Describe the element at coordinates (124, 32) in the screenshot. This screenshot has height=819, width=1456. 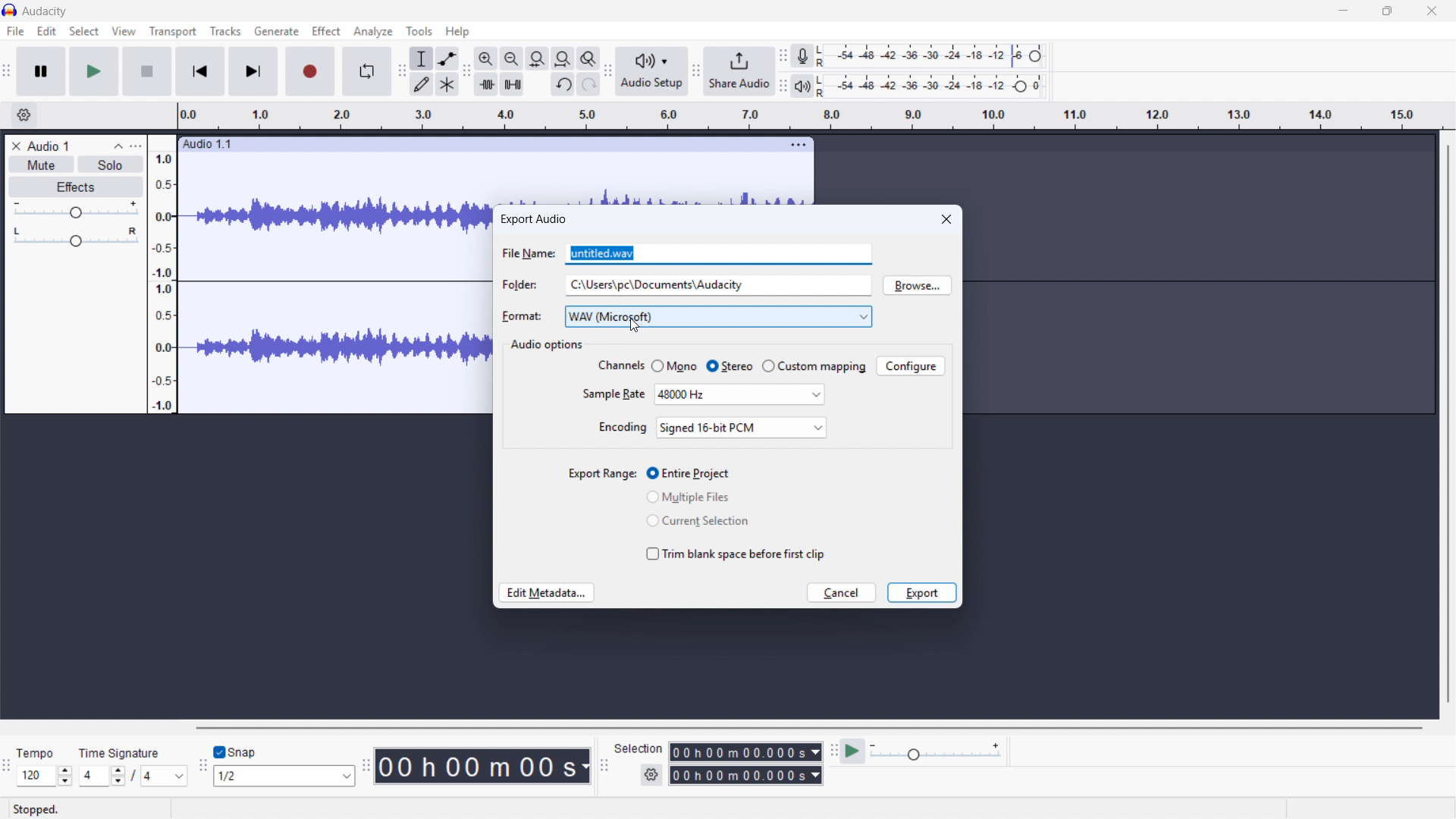
I see `View ` at that location.